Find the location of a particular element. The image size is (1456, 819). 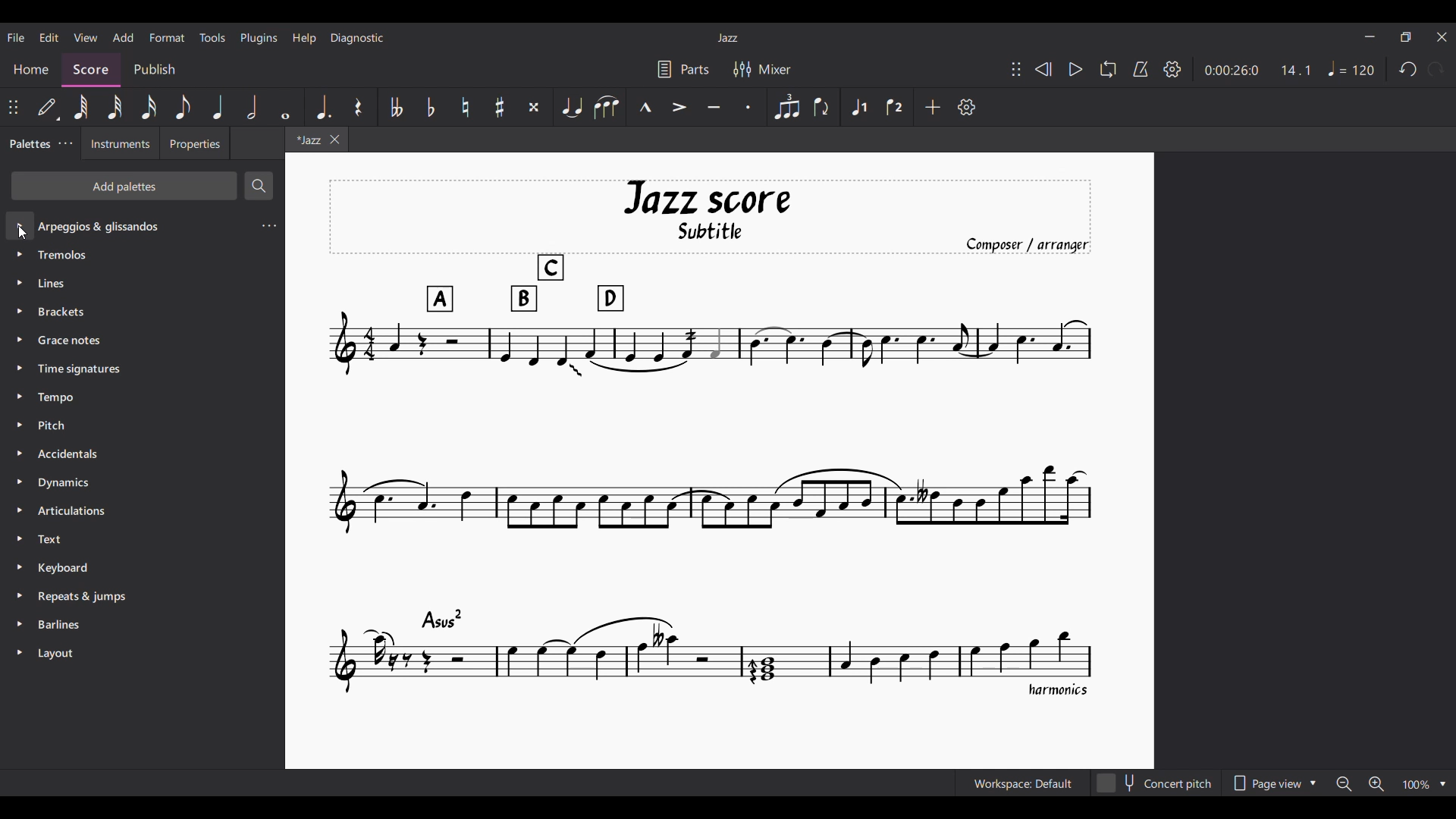

Close interface is located at coordinates (1442, 37).